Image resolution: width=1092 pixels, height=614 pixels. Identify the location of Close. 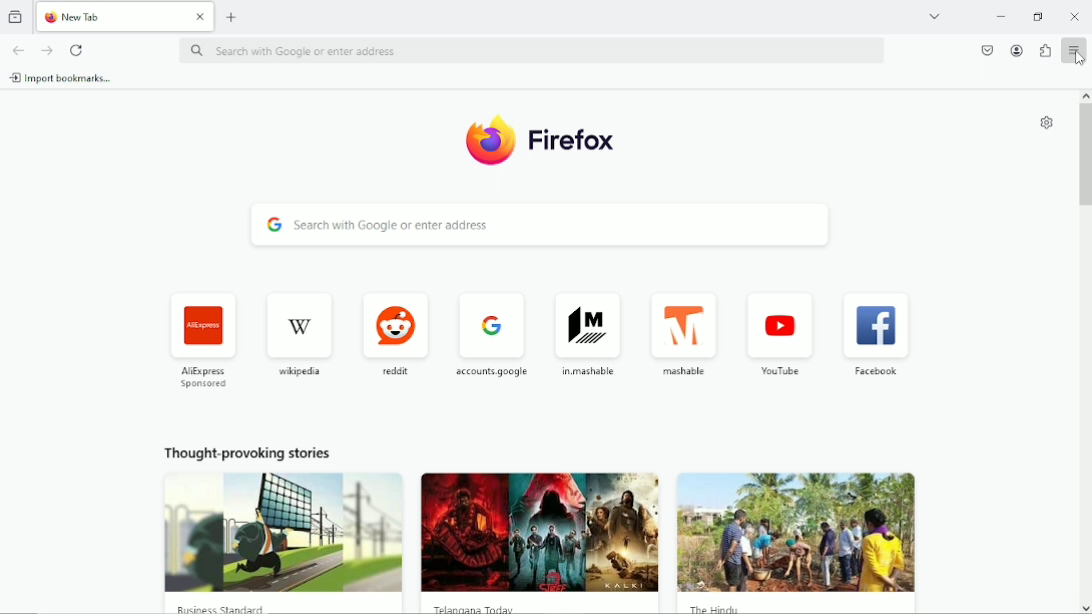
(1076, 15).